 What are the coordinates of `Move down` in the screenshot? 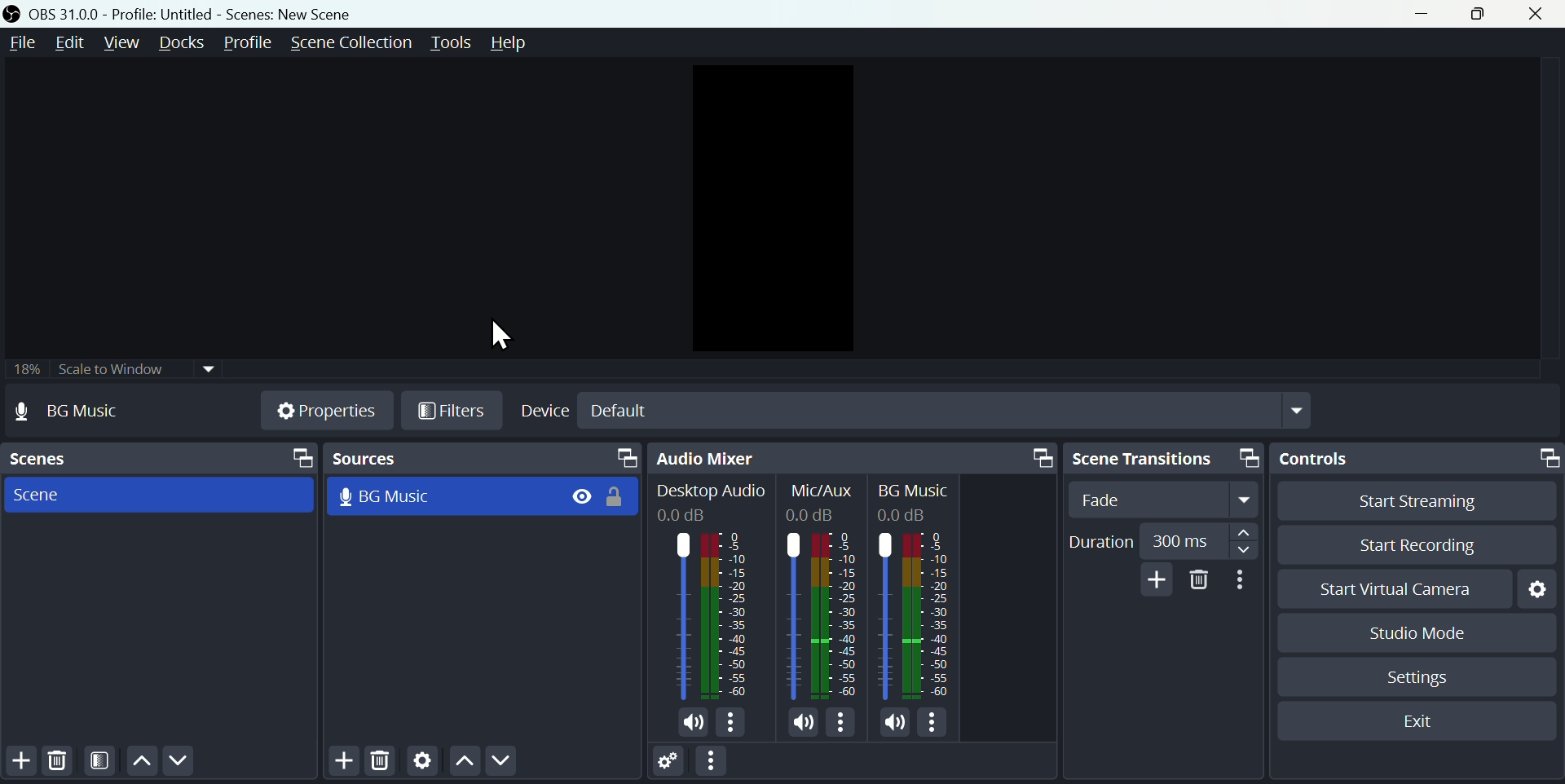 It's located at (504, 762).